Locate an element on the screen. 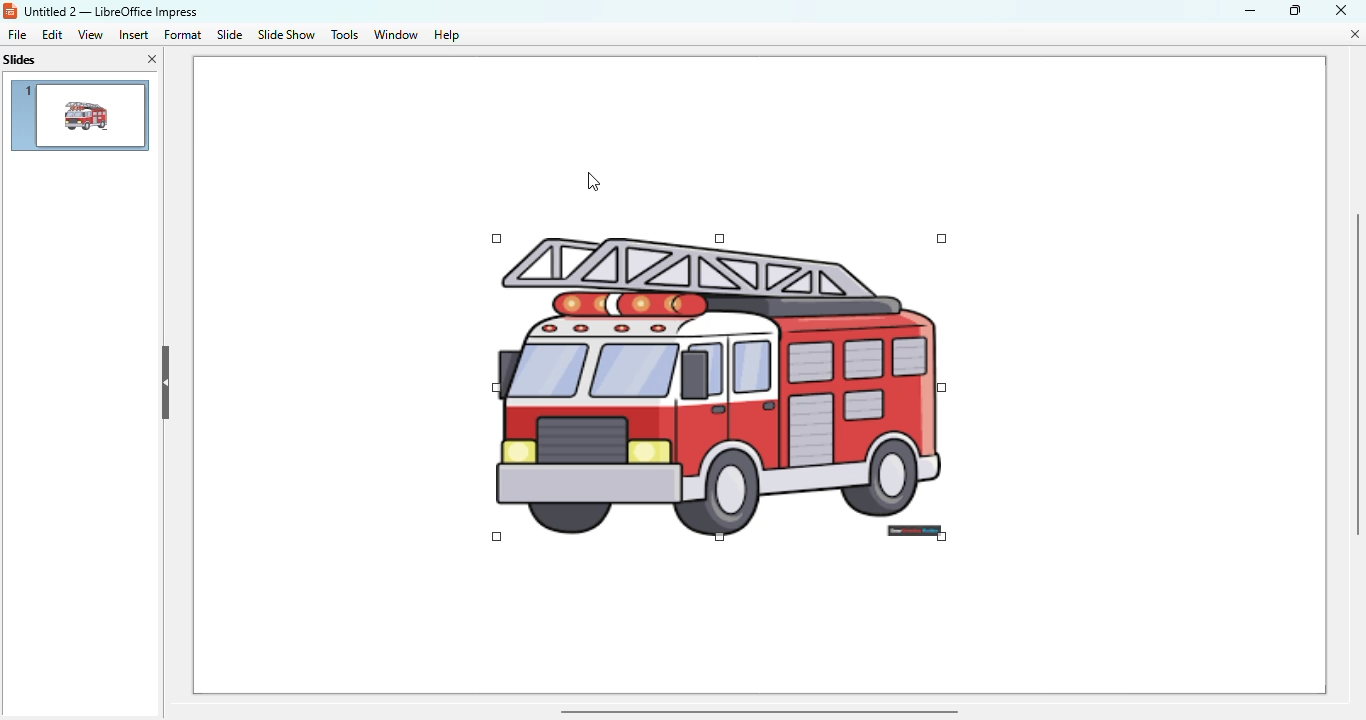 The height and width of the screenshot is (720, 1366). close document is located at coordinates (1357, 34).